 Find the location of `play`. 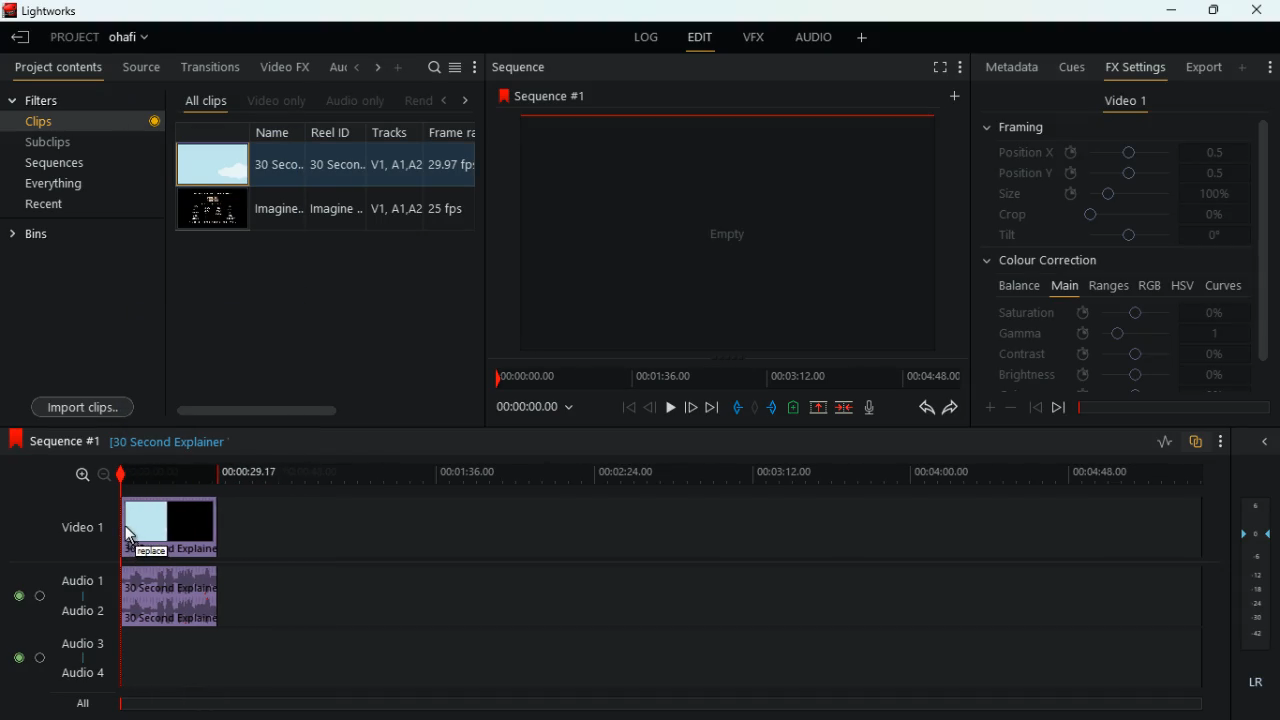

play is located at coordinates (670, 408).